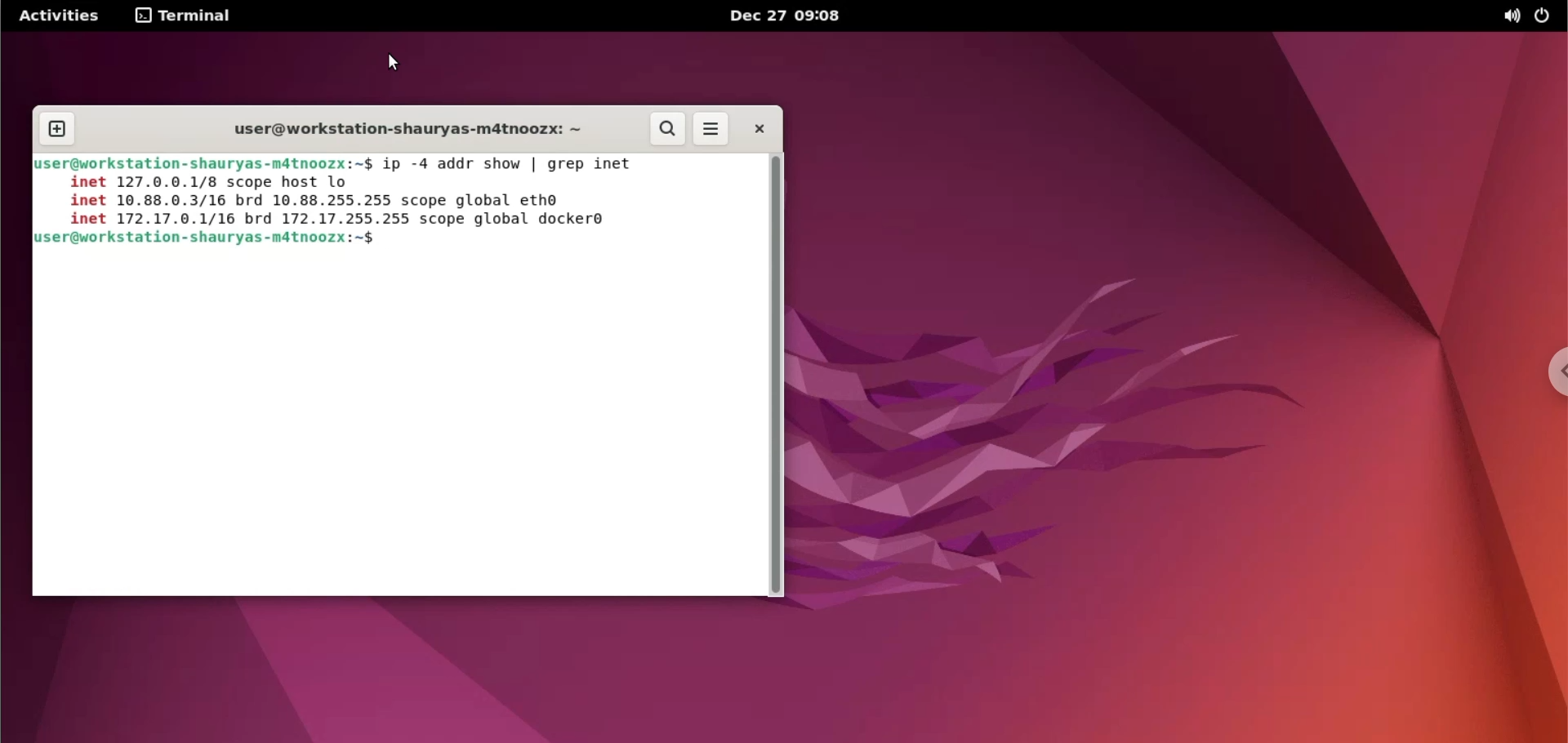 The image size is (1568, 743). I want to click on cursor, so click(394, 62).